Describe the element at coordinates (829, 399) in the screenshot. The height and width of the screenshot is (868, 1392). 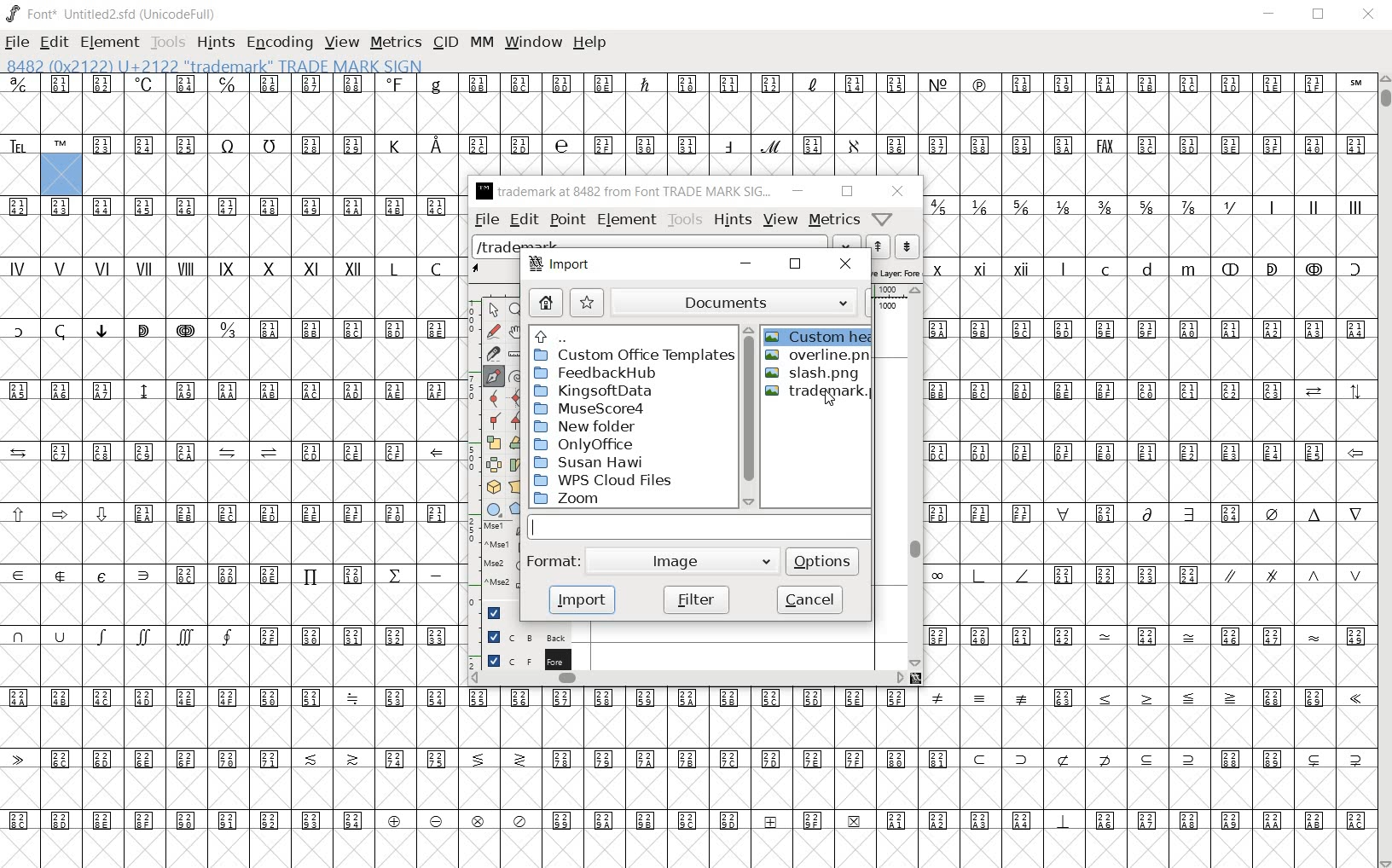
I see `cursor` at that location.